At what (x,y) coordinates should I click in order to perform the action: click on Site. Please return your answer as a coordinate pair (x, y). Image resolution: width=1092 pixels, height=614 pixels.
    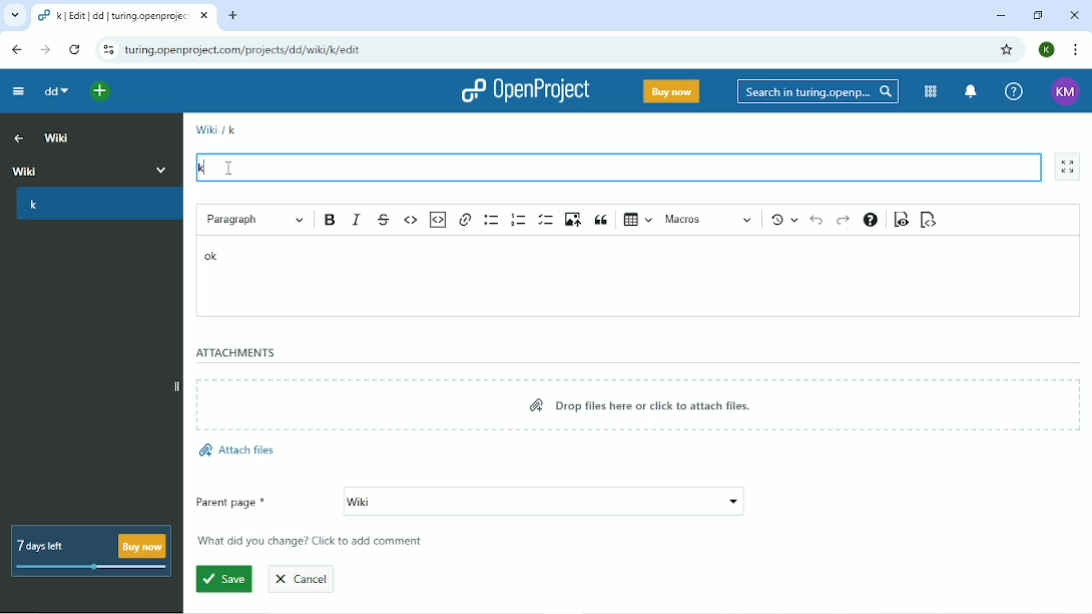
    Looking at the image, I should click on (246, 50).